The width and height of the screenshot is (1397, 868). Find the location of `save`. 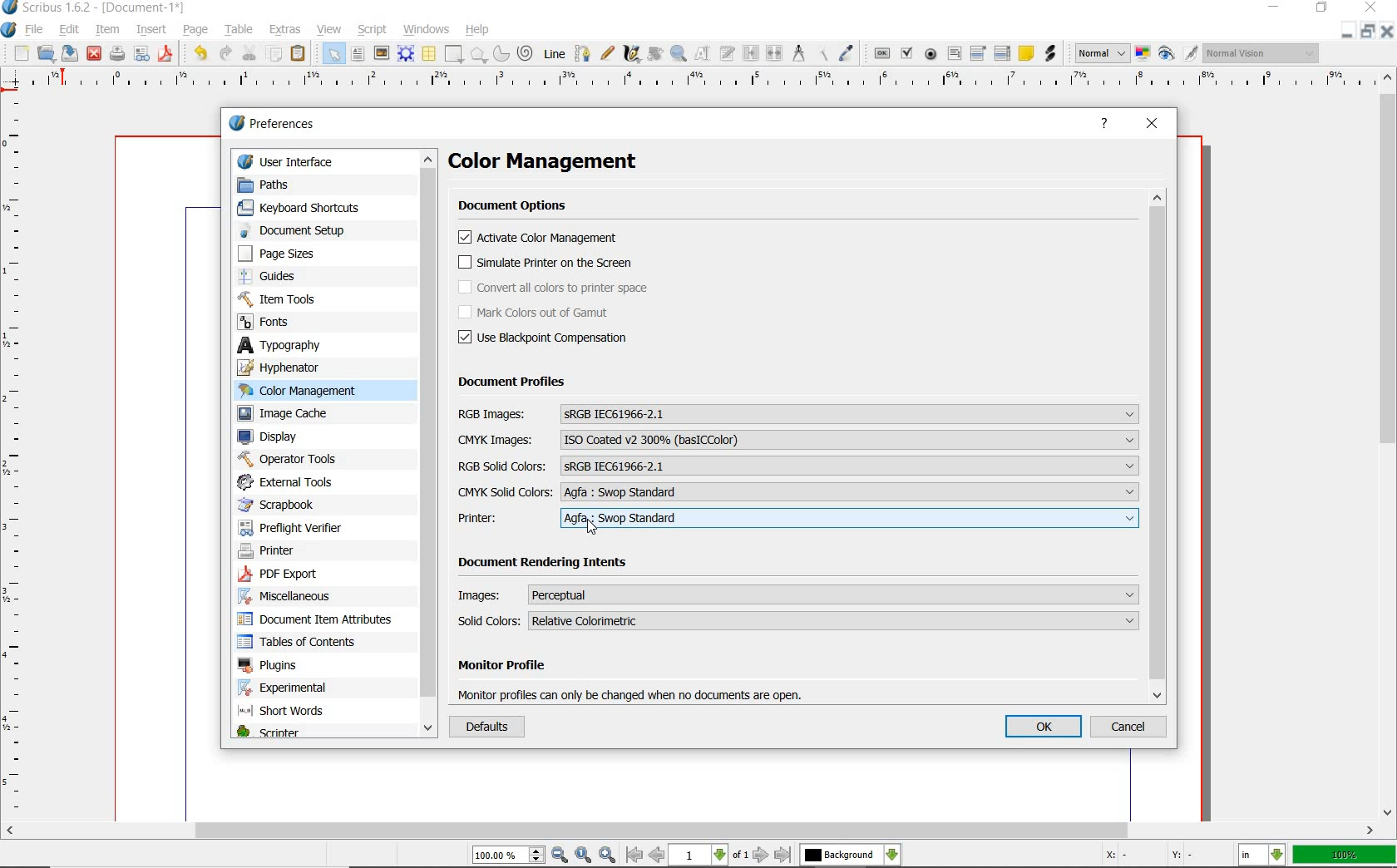

save is located at coordinates (71, 53).